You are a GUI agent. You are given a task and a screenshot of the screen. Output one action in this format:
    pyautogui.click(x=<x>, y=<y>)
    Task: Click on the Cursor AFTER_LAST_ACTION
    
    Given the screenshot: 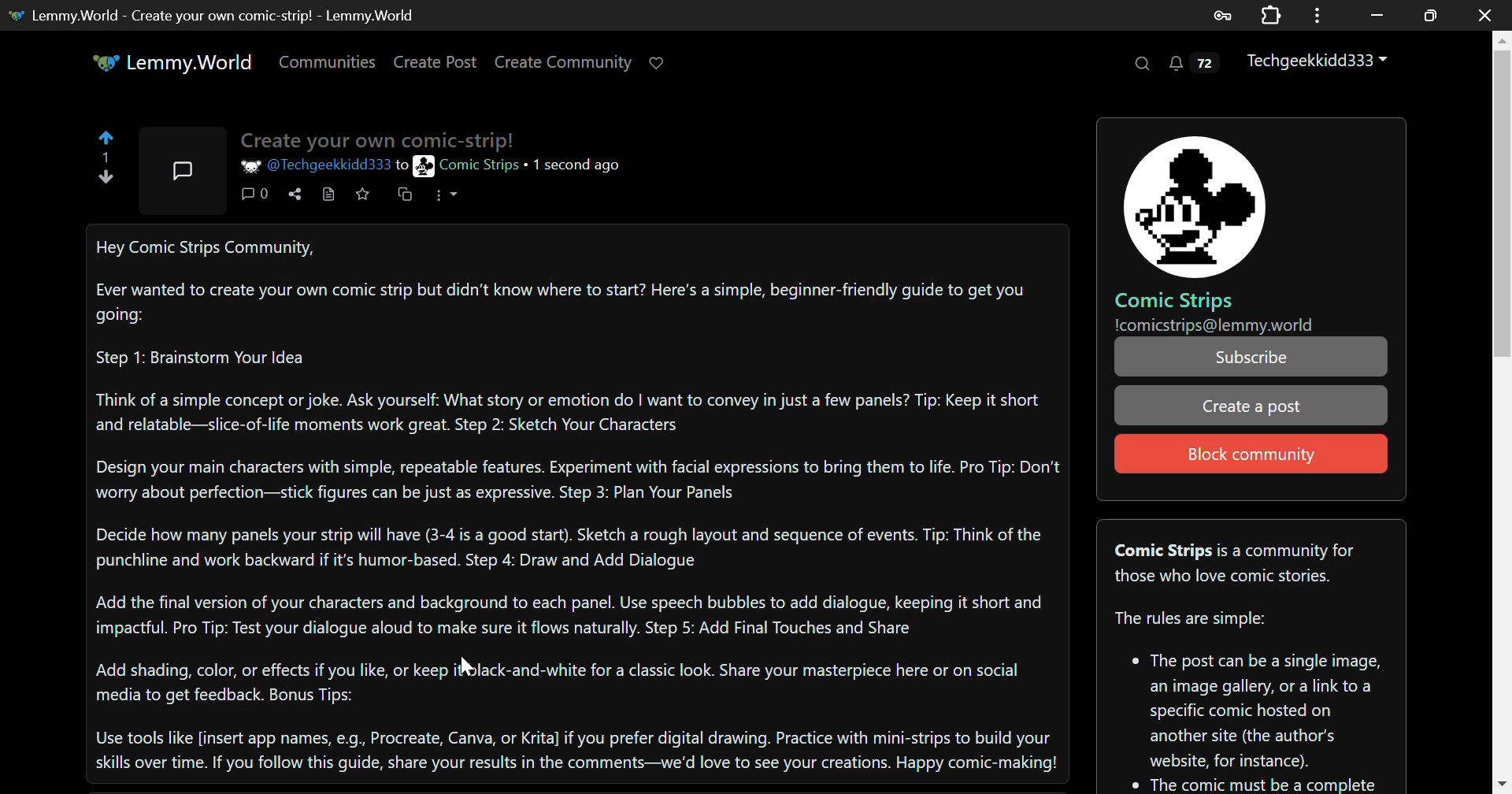 What is the action you would take?
    pyautogui.click(x=465, y=666)
    